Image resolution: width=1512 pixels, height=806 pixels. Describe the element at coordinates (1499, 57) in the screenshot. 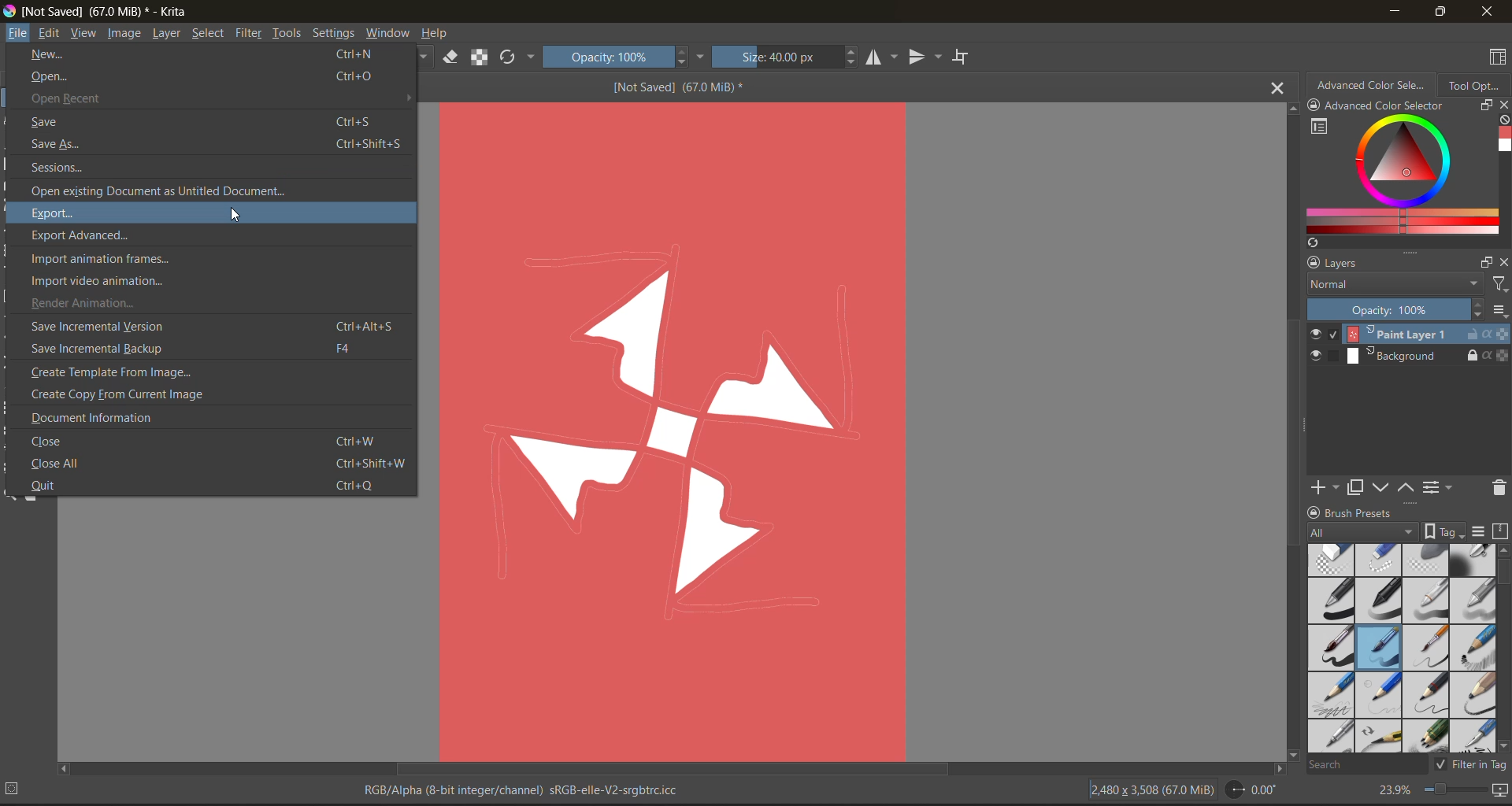

I see `choose workspace` at that location.